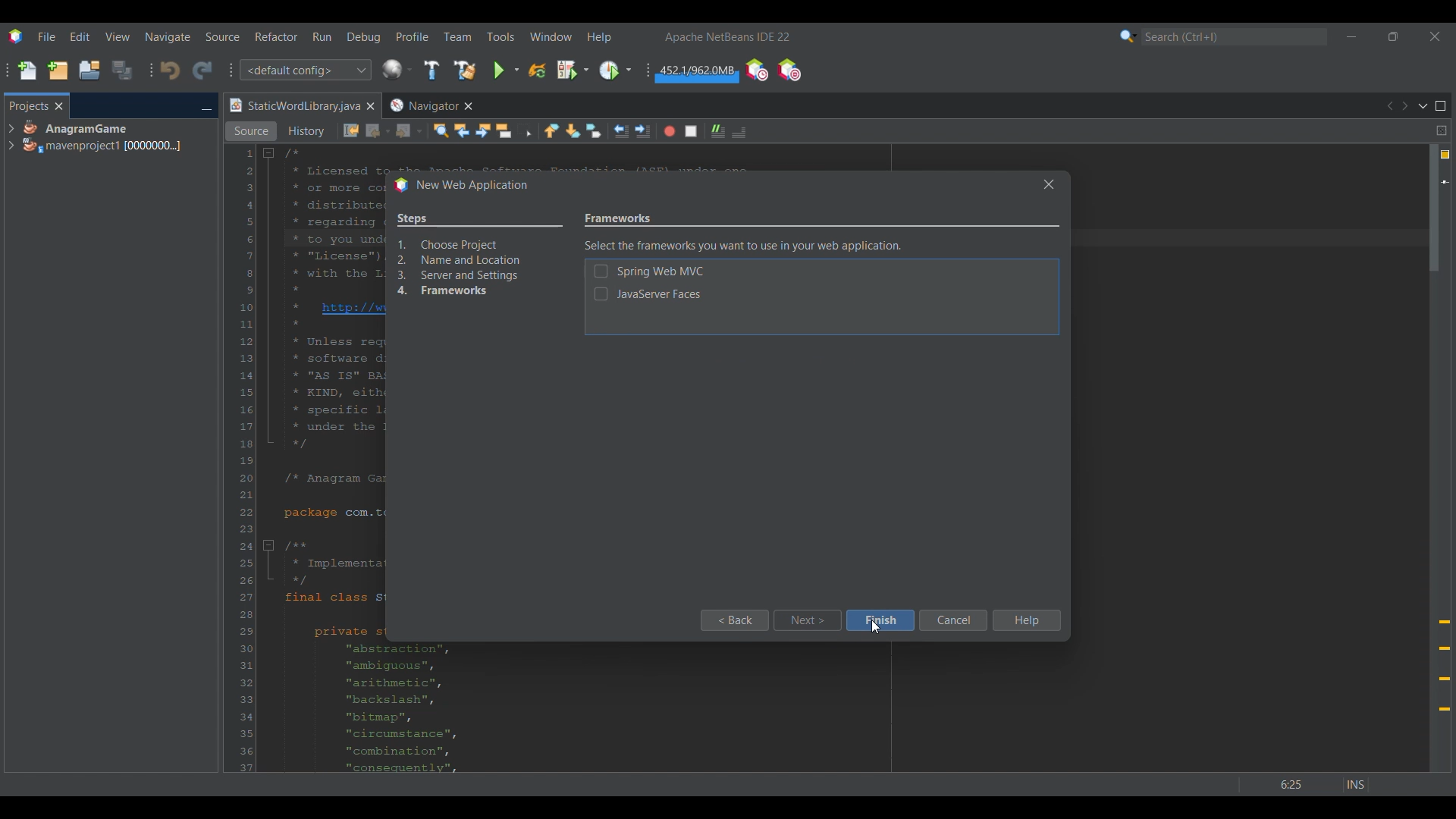 The height and width of the screenshot is (819, 1456). I want to click on Pause I/O checks, so click(789, 70).